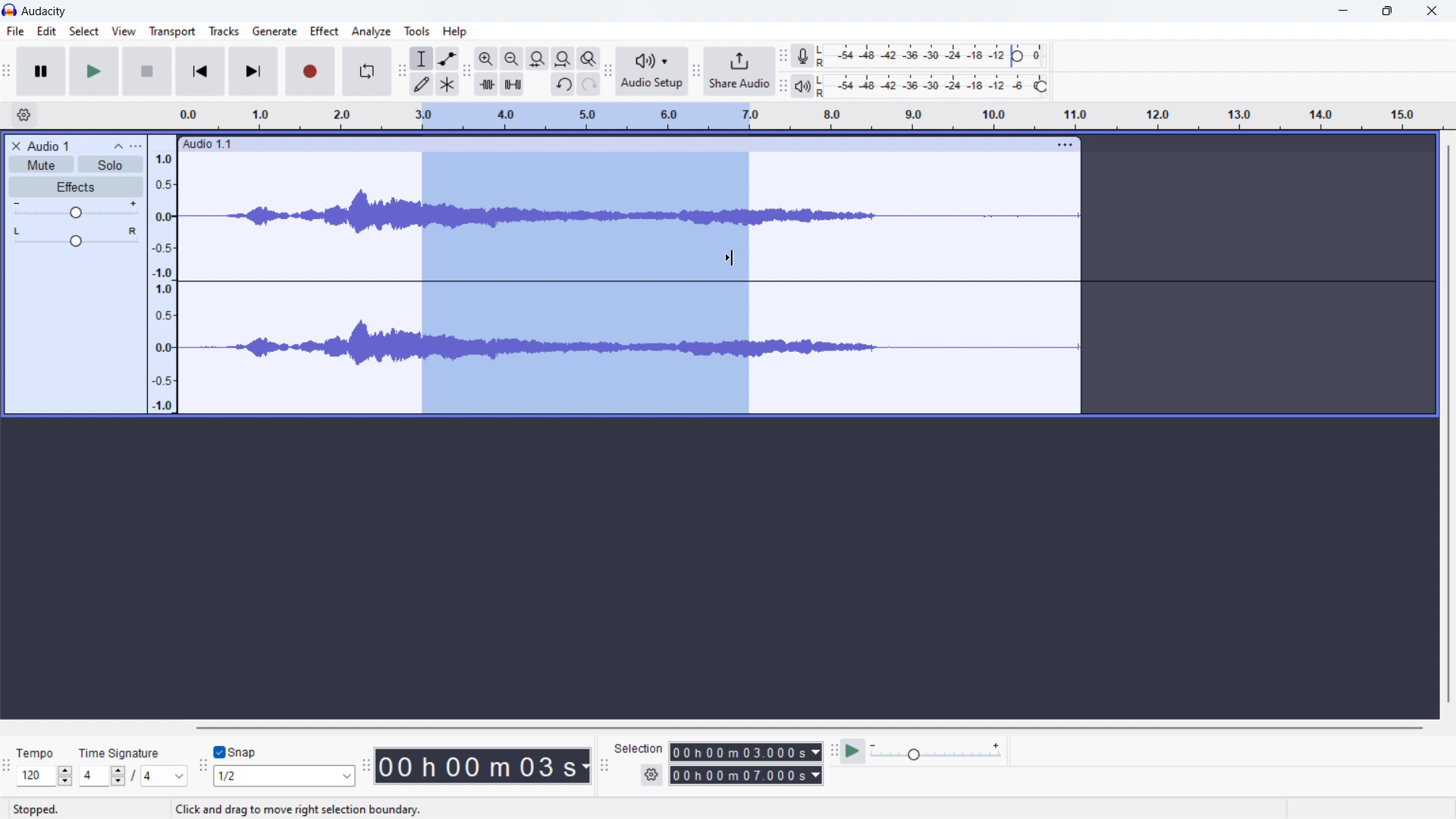 The image size is (1456, 819). Describe the element at coordinates (563, 58) in the screenshot. I see `fill project to width` at that location.